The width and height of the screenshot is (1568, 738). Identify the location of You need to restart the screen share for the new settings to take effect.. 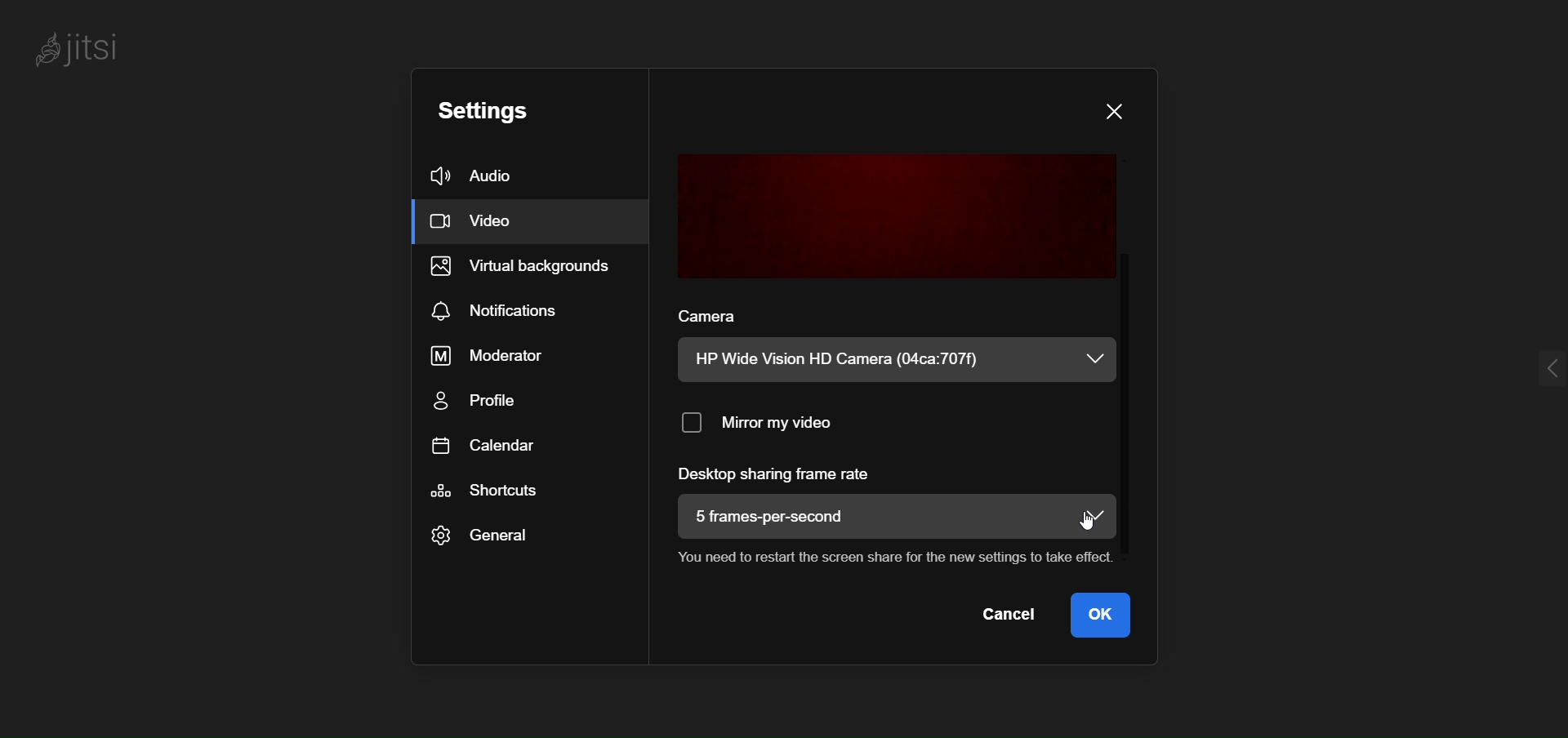
(891, 560).